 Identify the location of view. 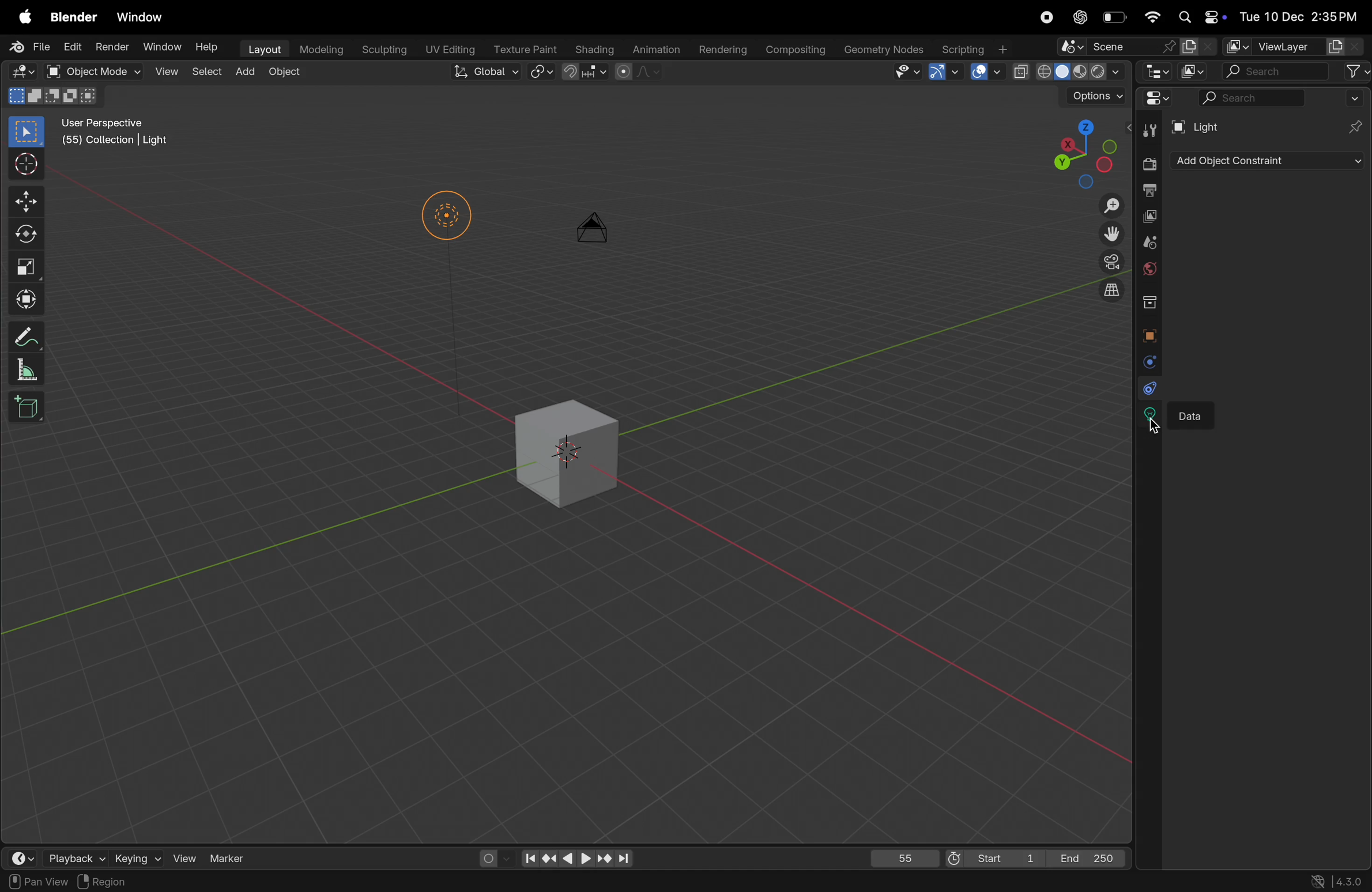
(165, 73).